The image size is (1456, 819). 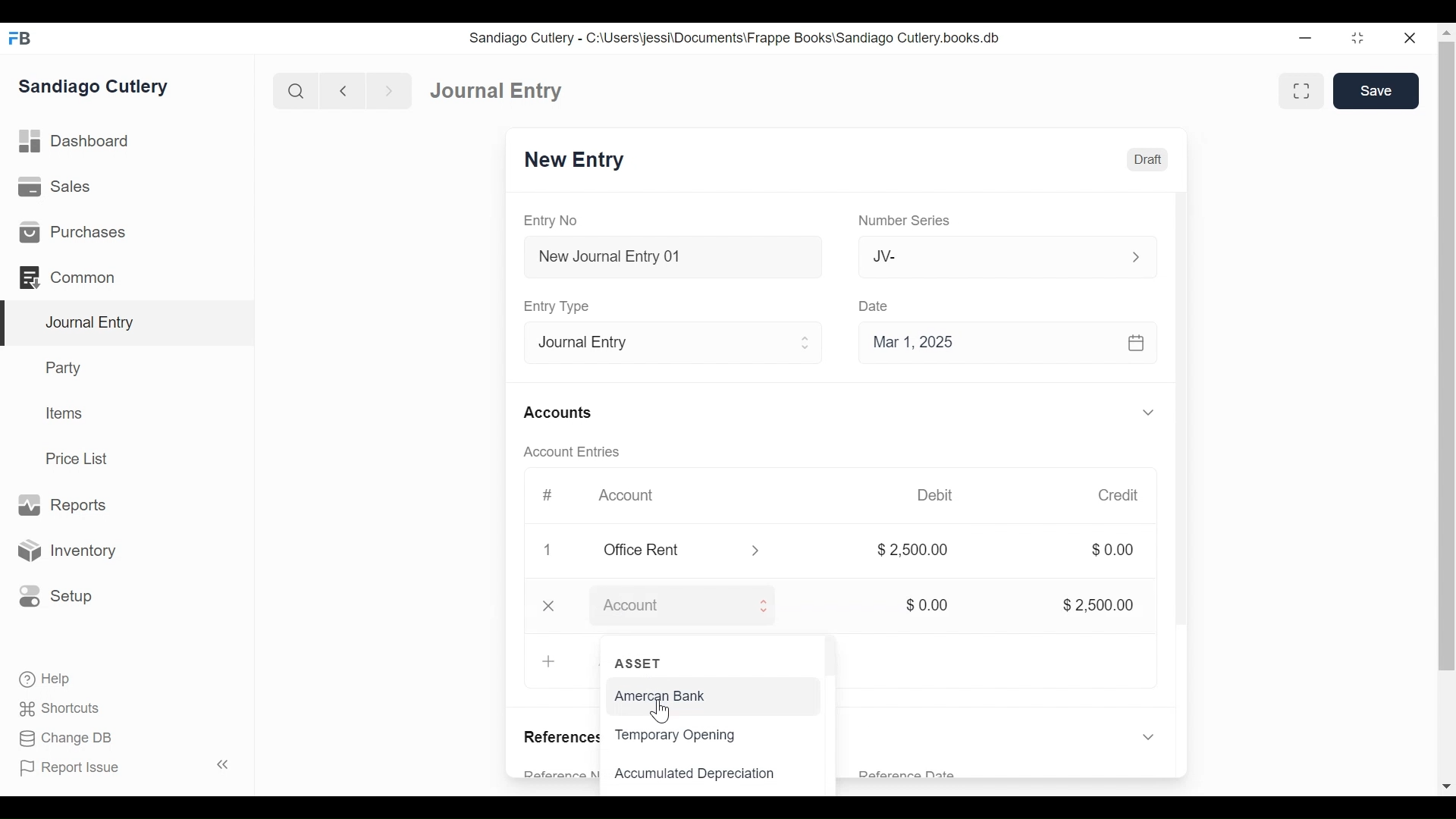 What do you see at coordinates (695, 773) in the screenshot?
I see `Accumulated Depreciation` at bounding box center [695, 773].